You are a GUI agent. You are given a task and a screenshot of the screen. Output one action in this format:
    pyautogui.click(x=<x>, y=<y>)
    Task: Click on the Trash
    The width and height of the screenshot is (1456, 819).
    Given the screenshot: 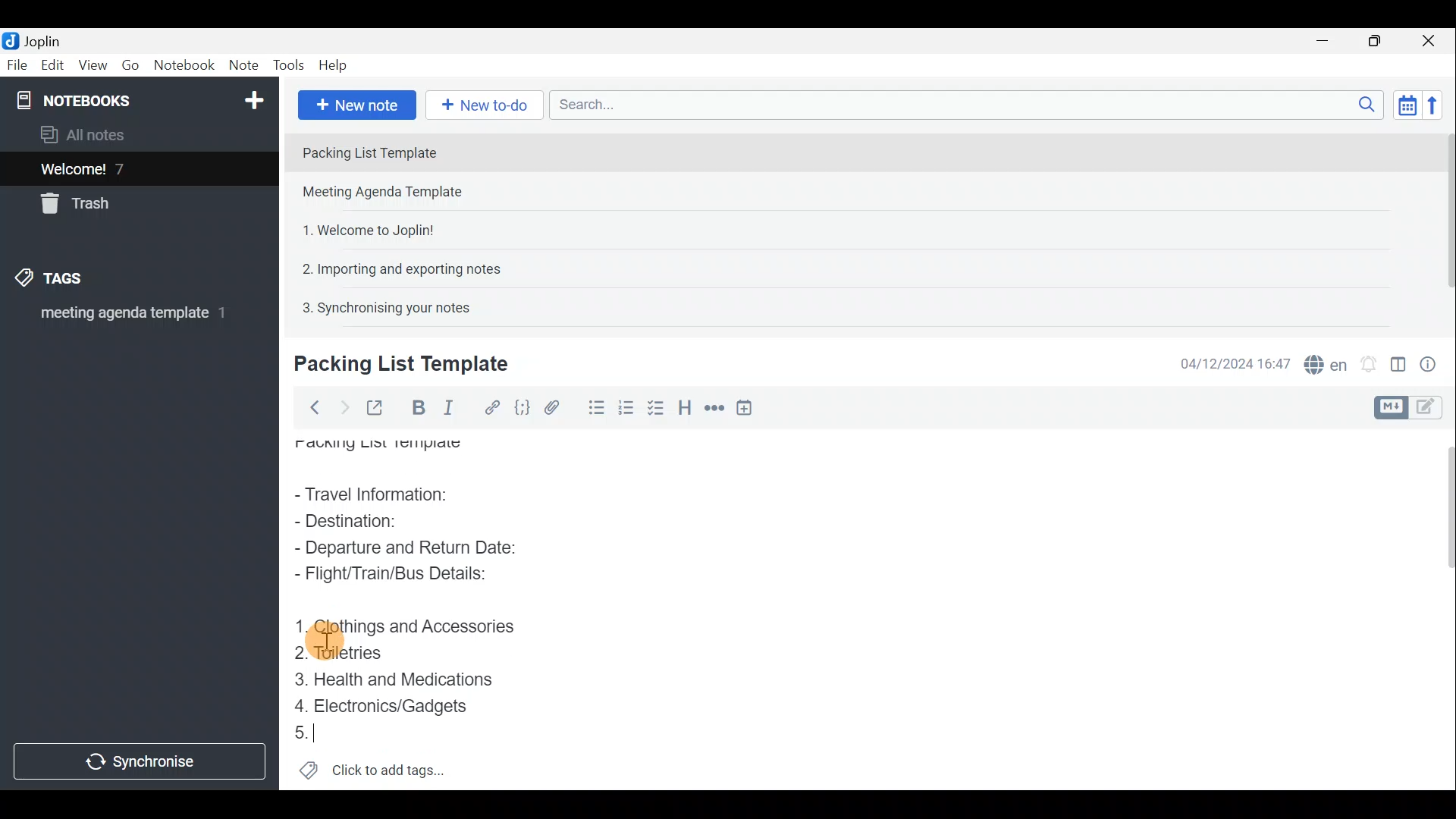 What is the action you would take?
    pyautogui.click(x=81, y=206)
    